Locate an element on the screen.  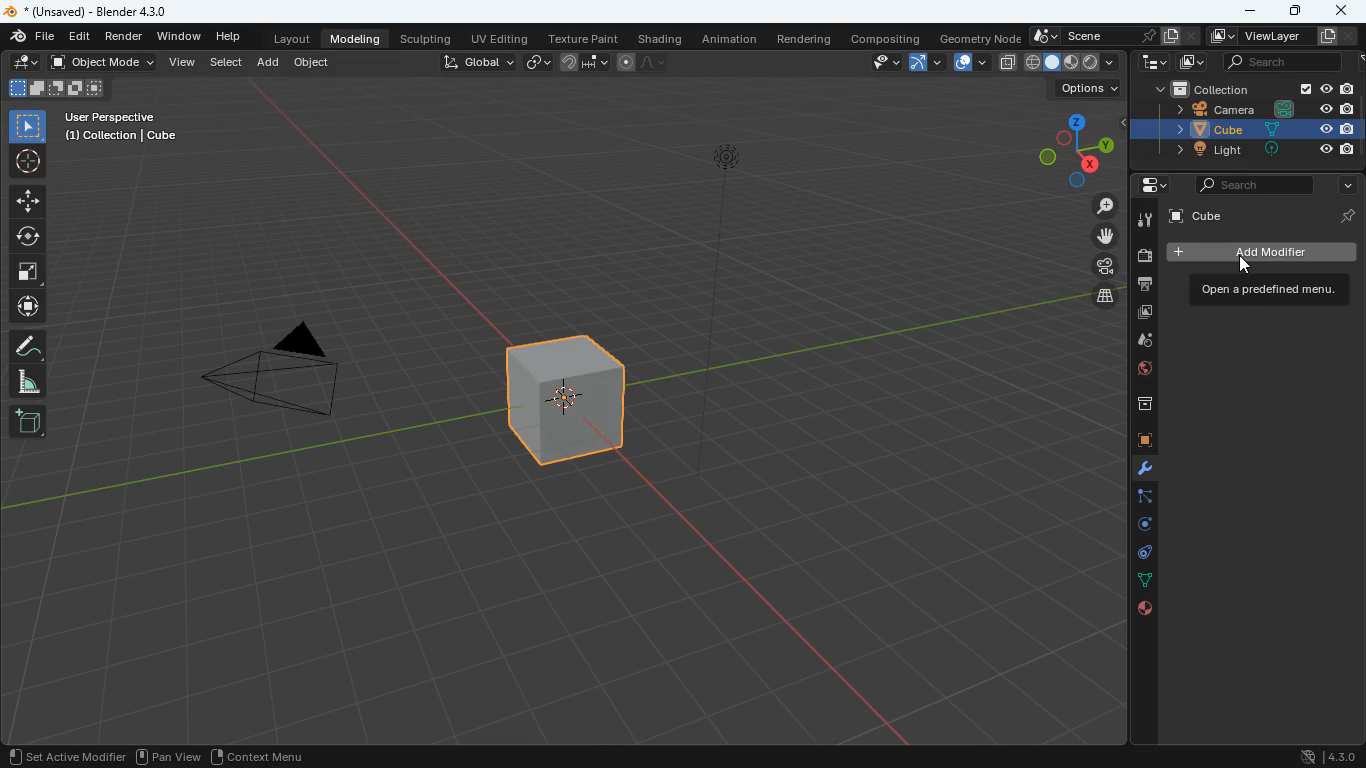
public is located at coordinates (1144, 610).